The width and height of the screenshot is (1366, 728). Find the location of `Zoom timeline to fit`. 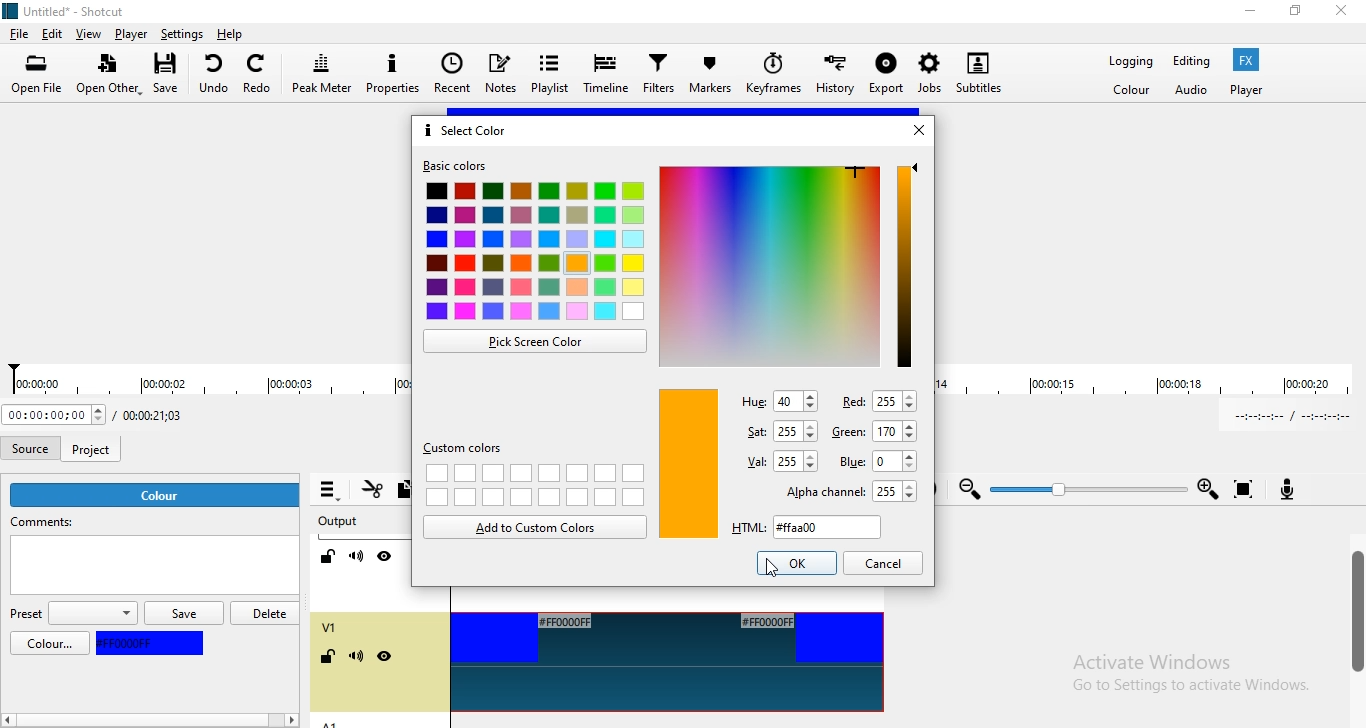

Zoom timeline to fit is located at coordinates (1243, 489).